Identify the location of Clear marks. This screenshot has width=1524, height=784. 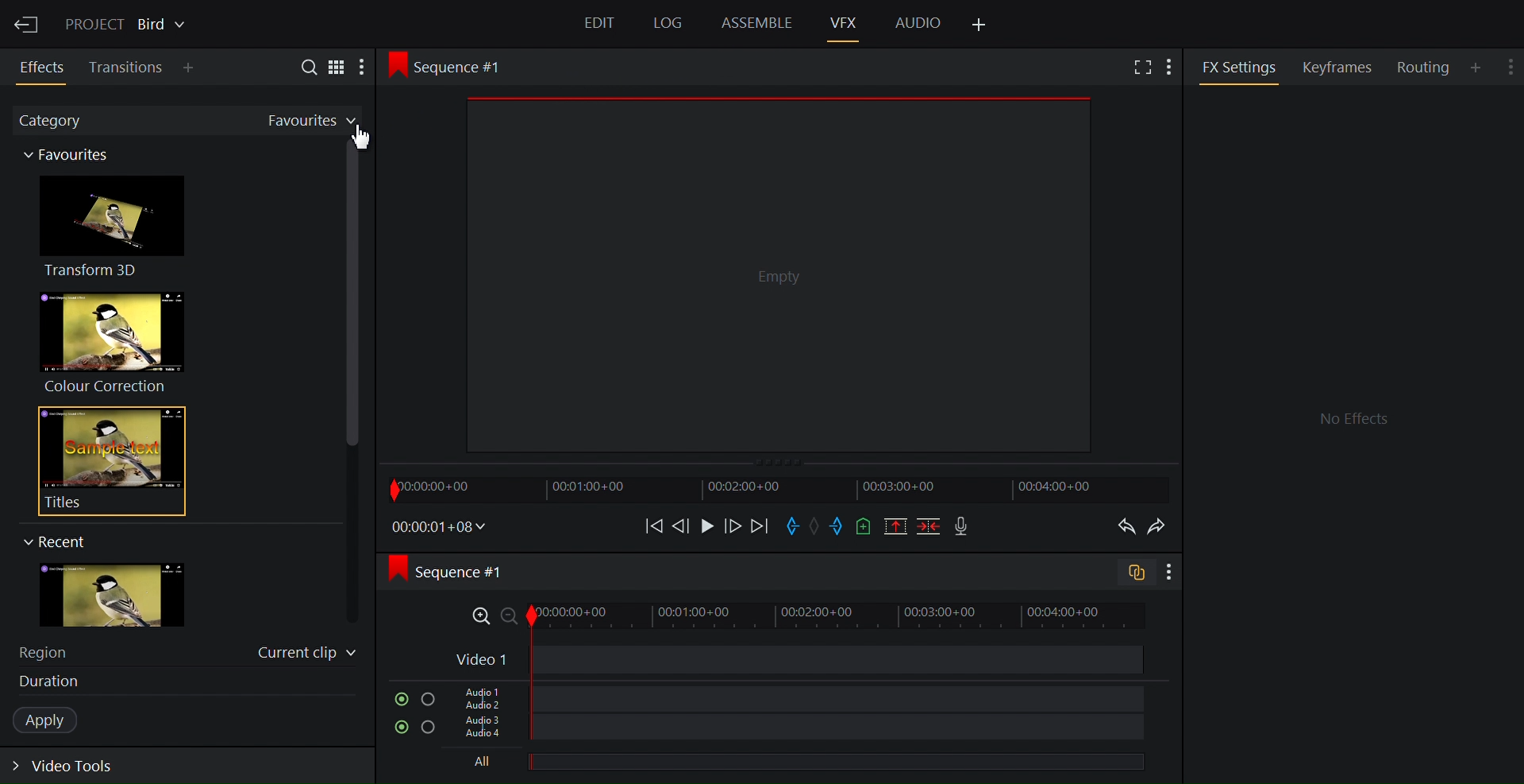
(817, 525).